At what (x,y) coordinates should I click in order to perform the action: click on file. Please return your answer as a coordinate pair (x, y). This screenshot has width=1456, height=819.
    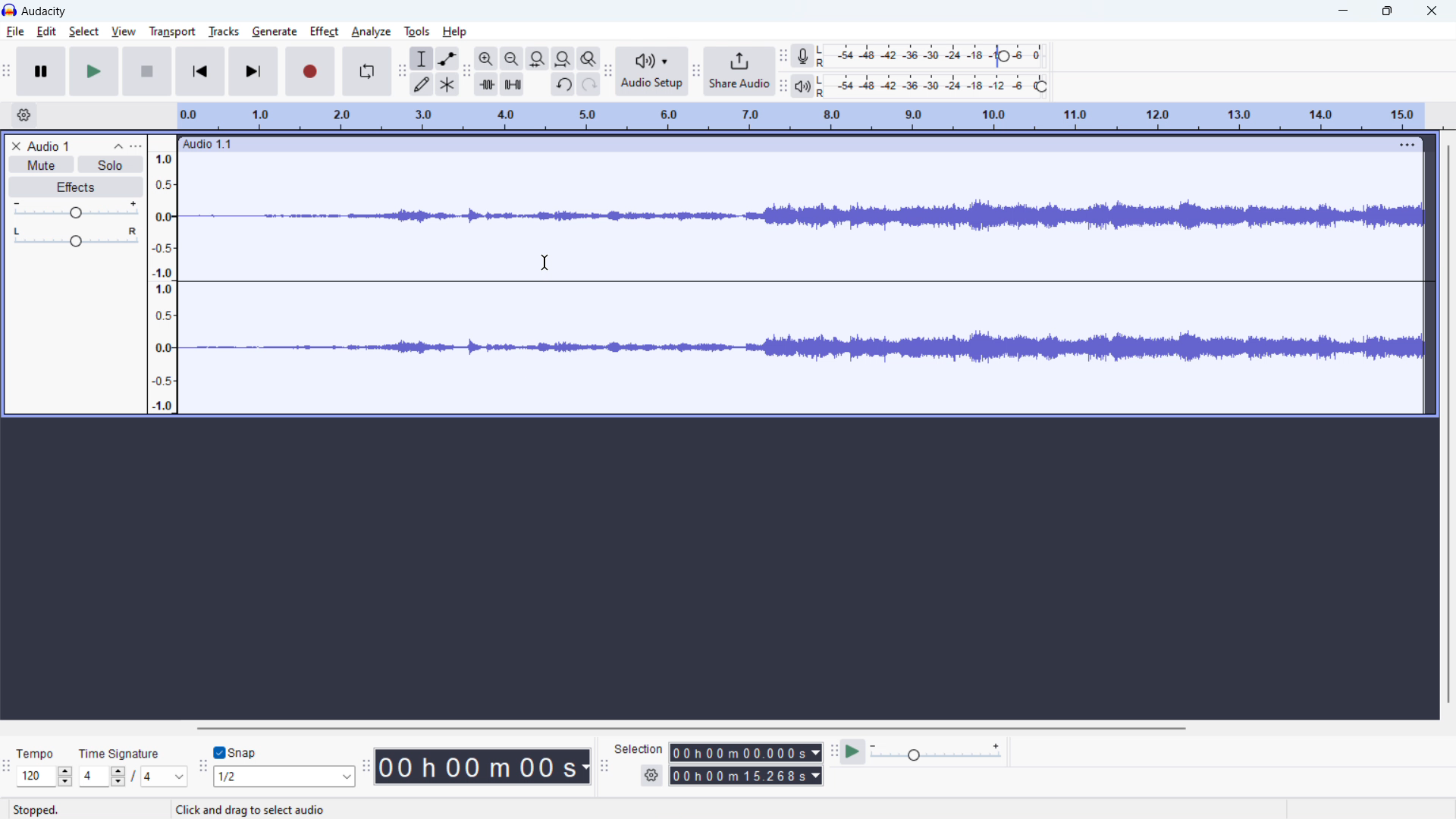
    Looking at the image, I should click on (15, 31).